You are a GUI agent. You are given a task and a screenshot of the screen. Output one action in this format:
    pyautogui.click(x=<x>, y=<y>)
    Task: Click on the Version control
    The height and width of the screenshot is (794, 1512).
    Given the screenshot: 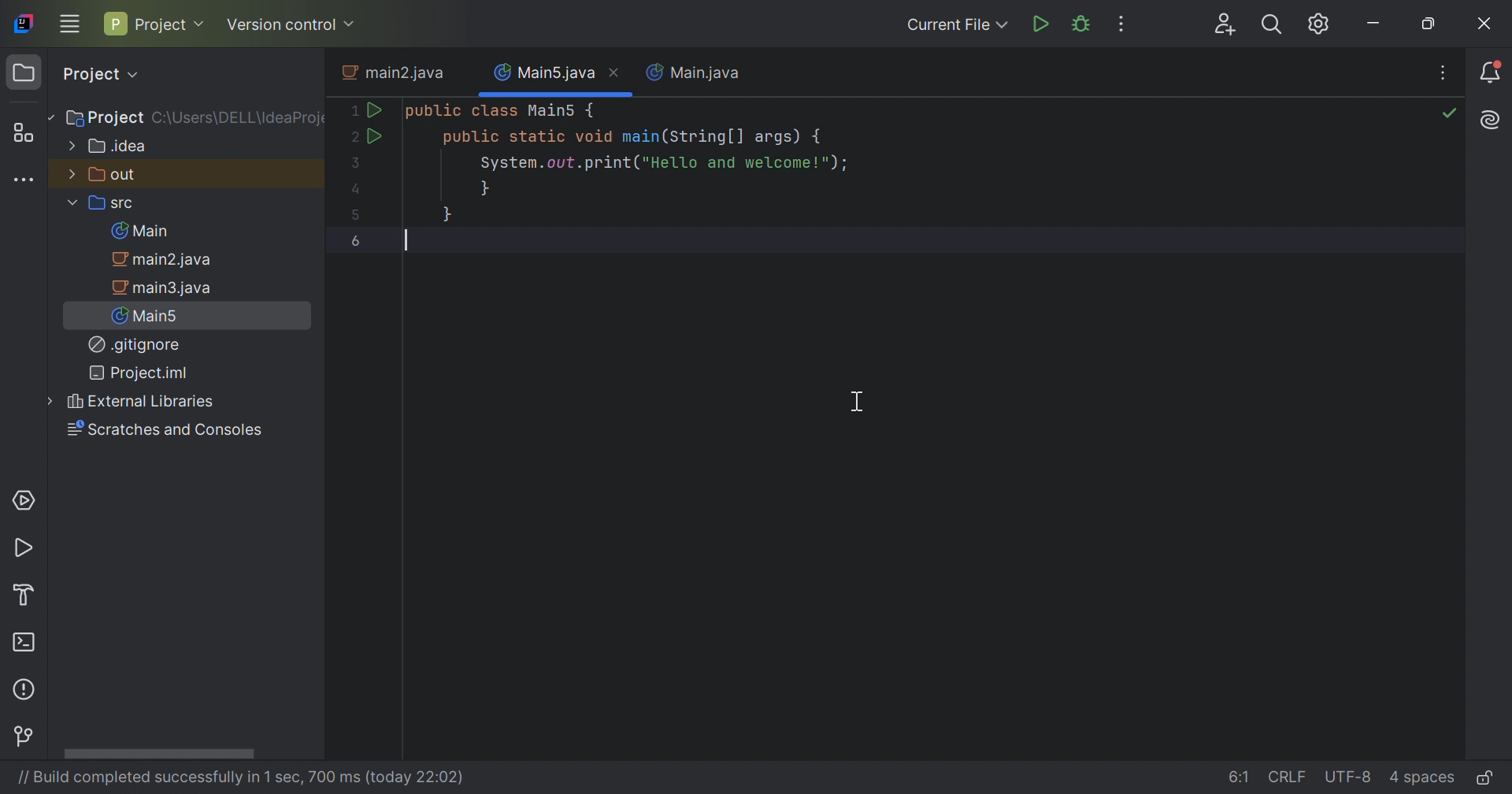 What is the action you would take?
    pyautogui.click(x=291, y=26)
    